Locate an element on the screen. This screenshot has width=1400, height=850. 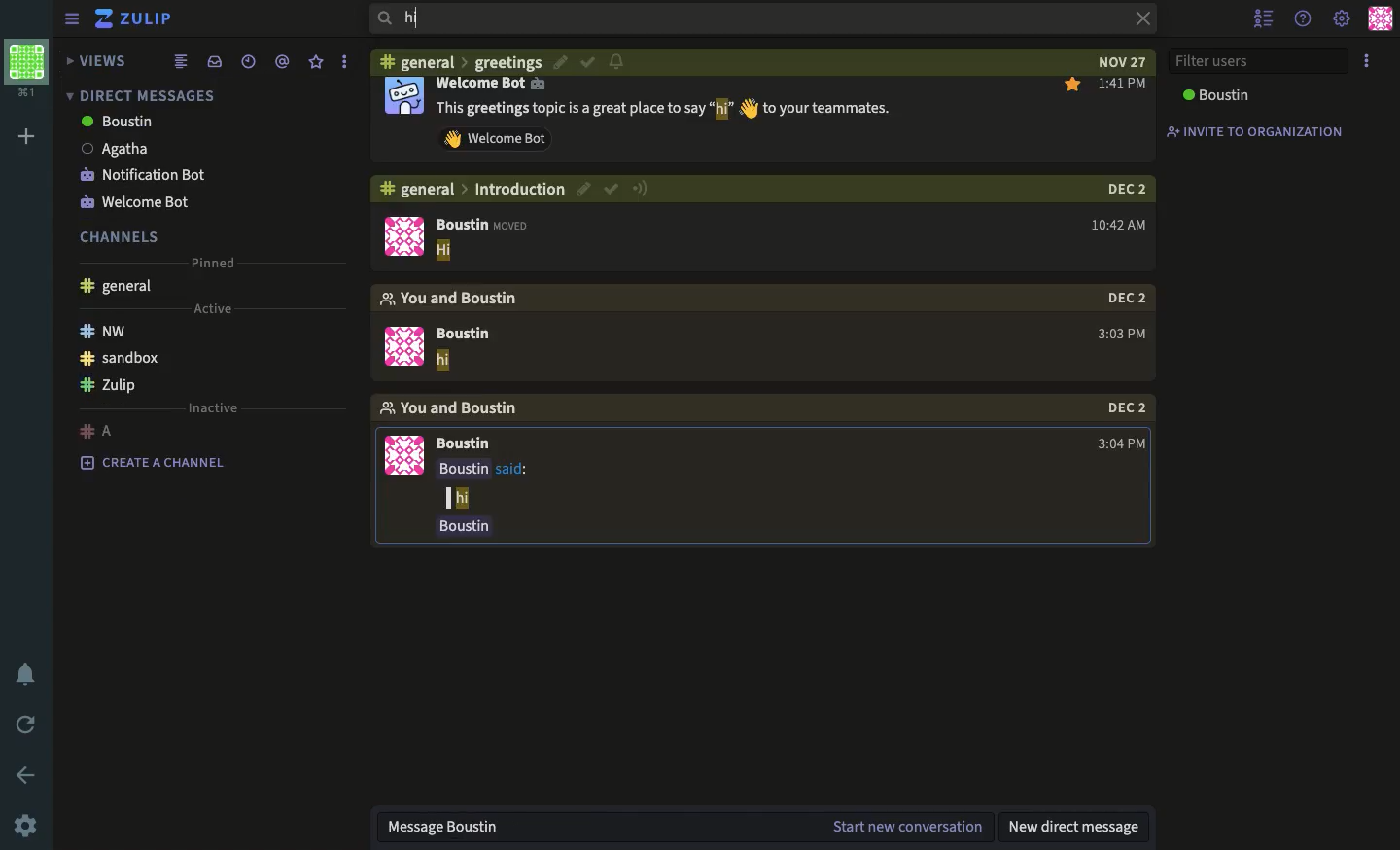
DEC2 is located at coordinates (1125, 407).